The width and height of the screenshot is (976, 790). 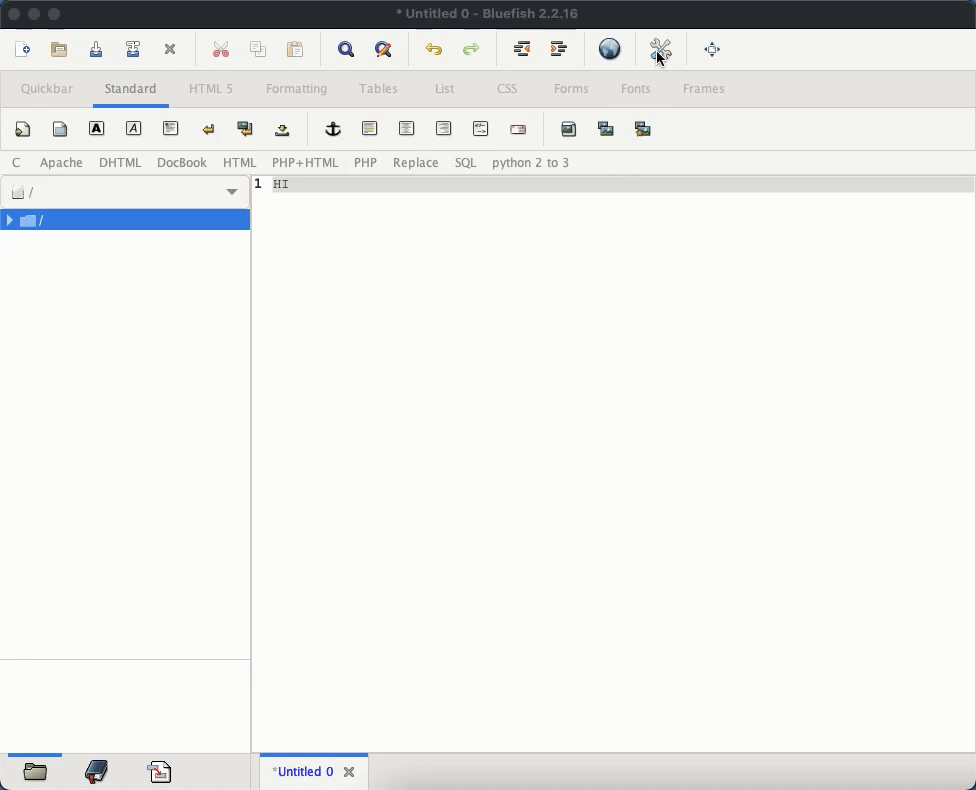 What do you see at coordinates (522, 48) in the screenshot?
I see `` at bounding box center [522, 48].